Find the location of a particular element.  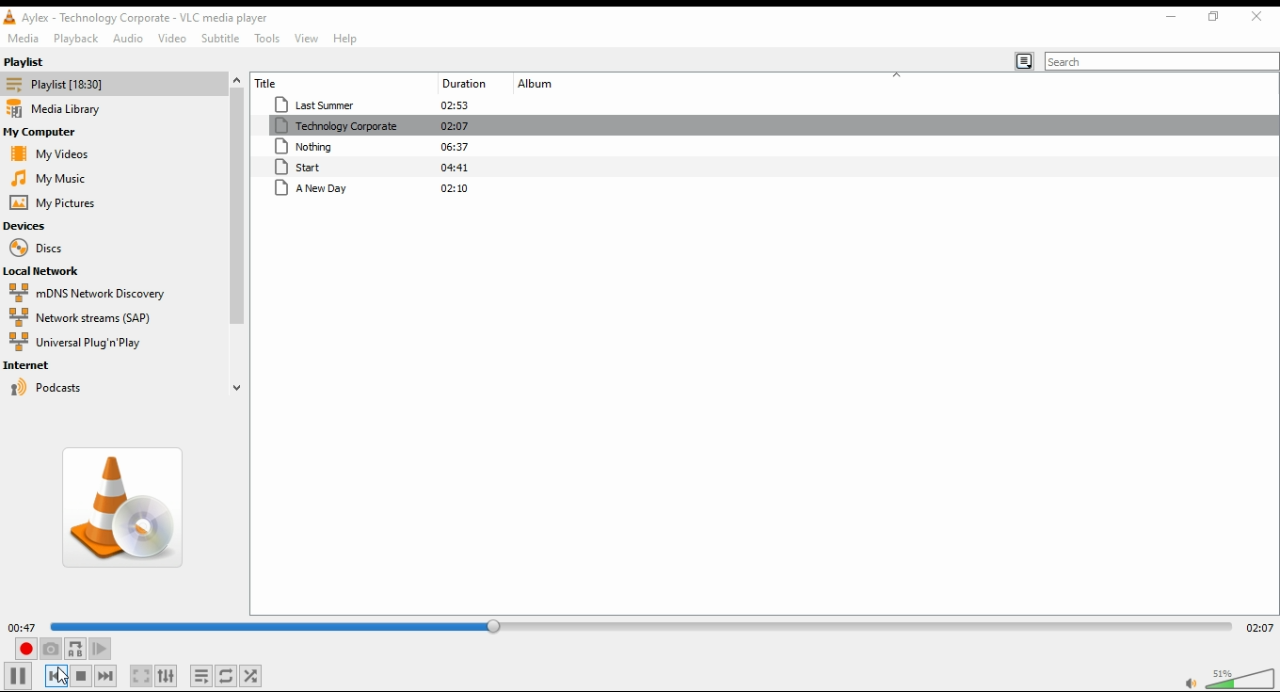

scroll bar is located at coordinates (237, 237).